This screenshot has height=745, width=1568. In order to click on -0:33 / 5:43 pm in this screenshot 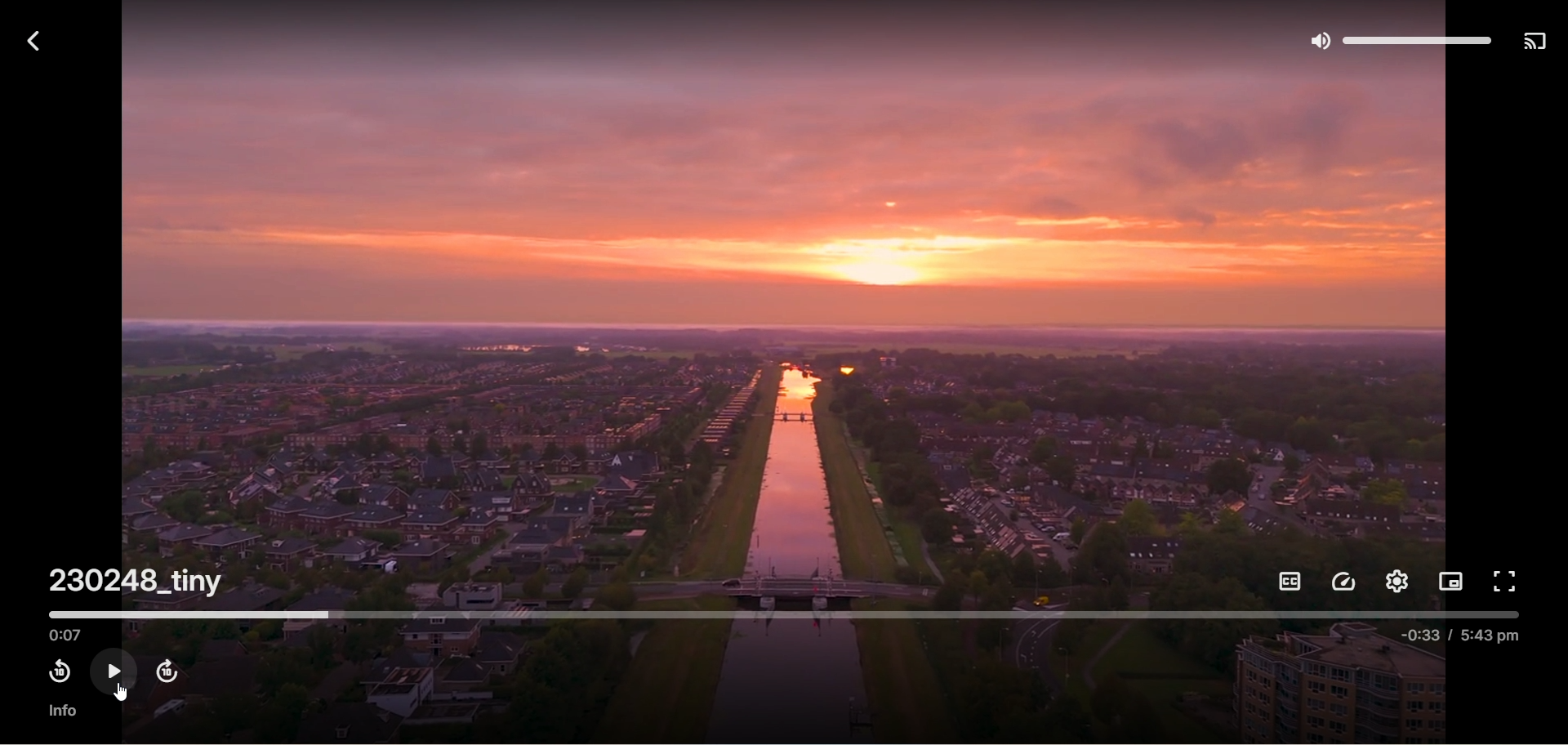, I will do `click(1463, 636)`.